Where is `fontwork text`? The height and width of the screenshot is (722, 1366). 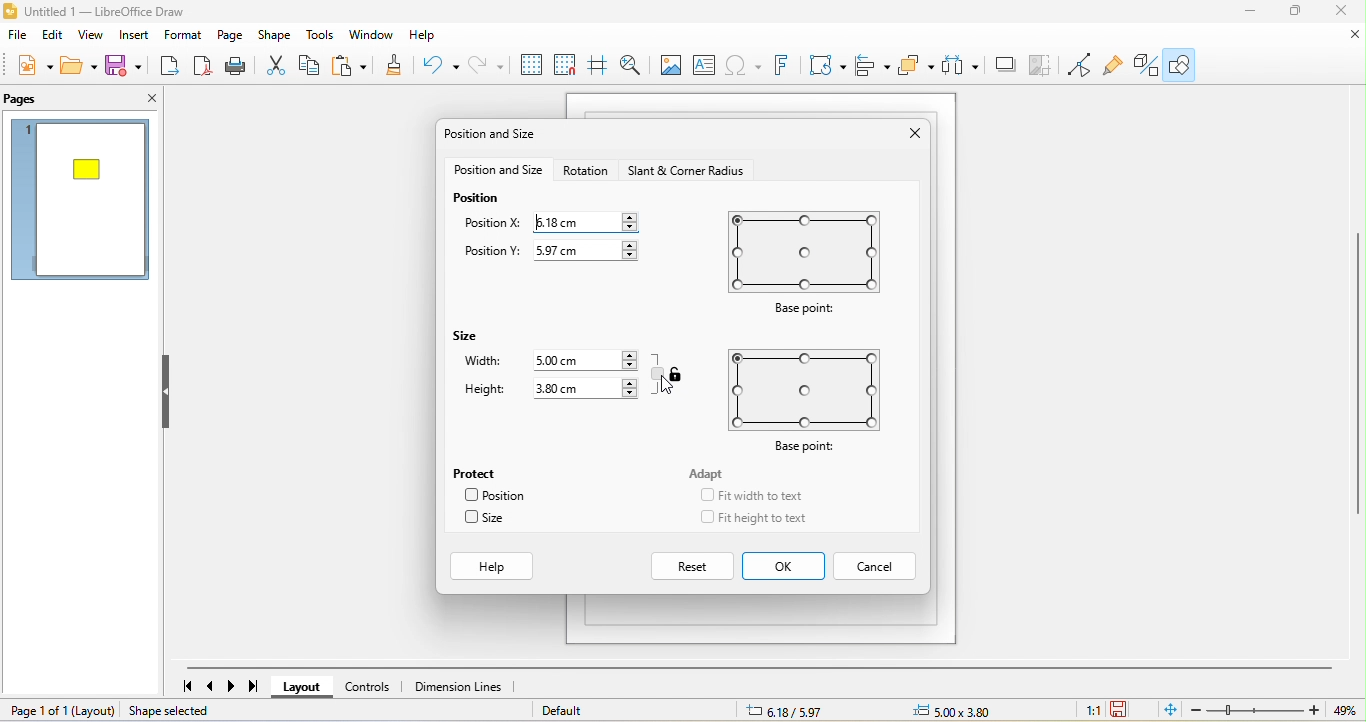 fontwork text is located at coordinates (785, 66).